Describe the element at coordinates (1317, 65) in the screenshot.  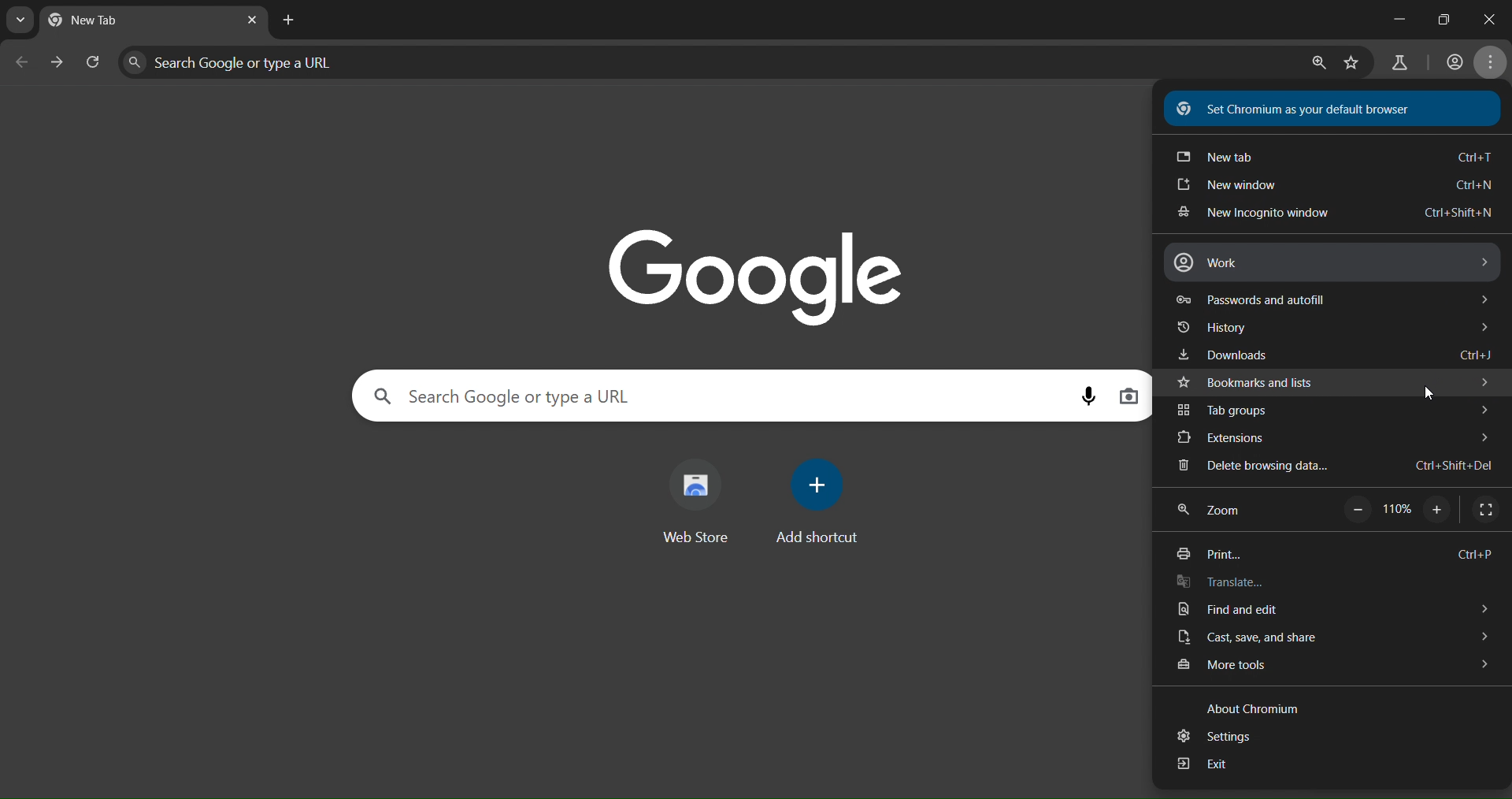
I see `zoom in` at that location.